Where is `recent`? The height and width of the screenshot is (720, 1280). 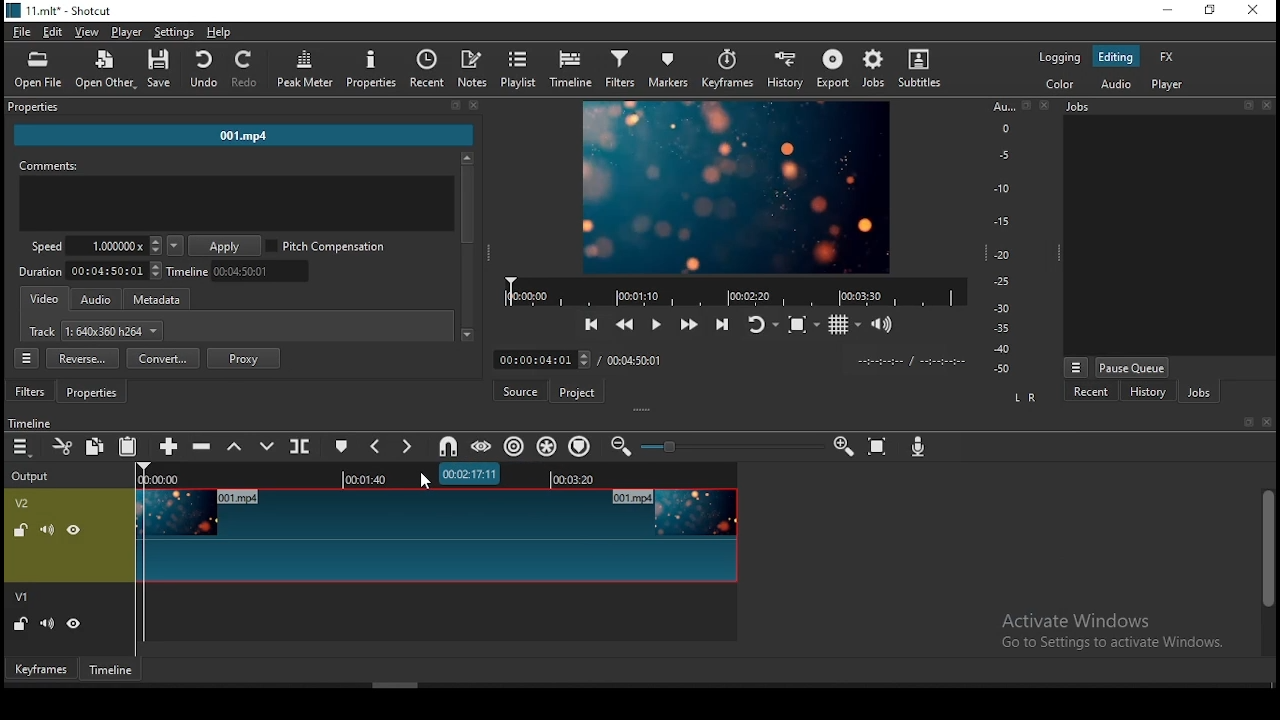
recent is located at coordinates (428, 69).